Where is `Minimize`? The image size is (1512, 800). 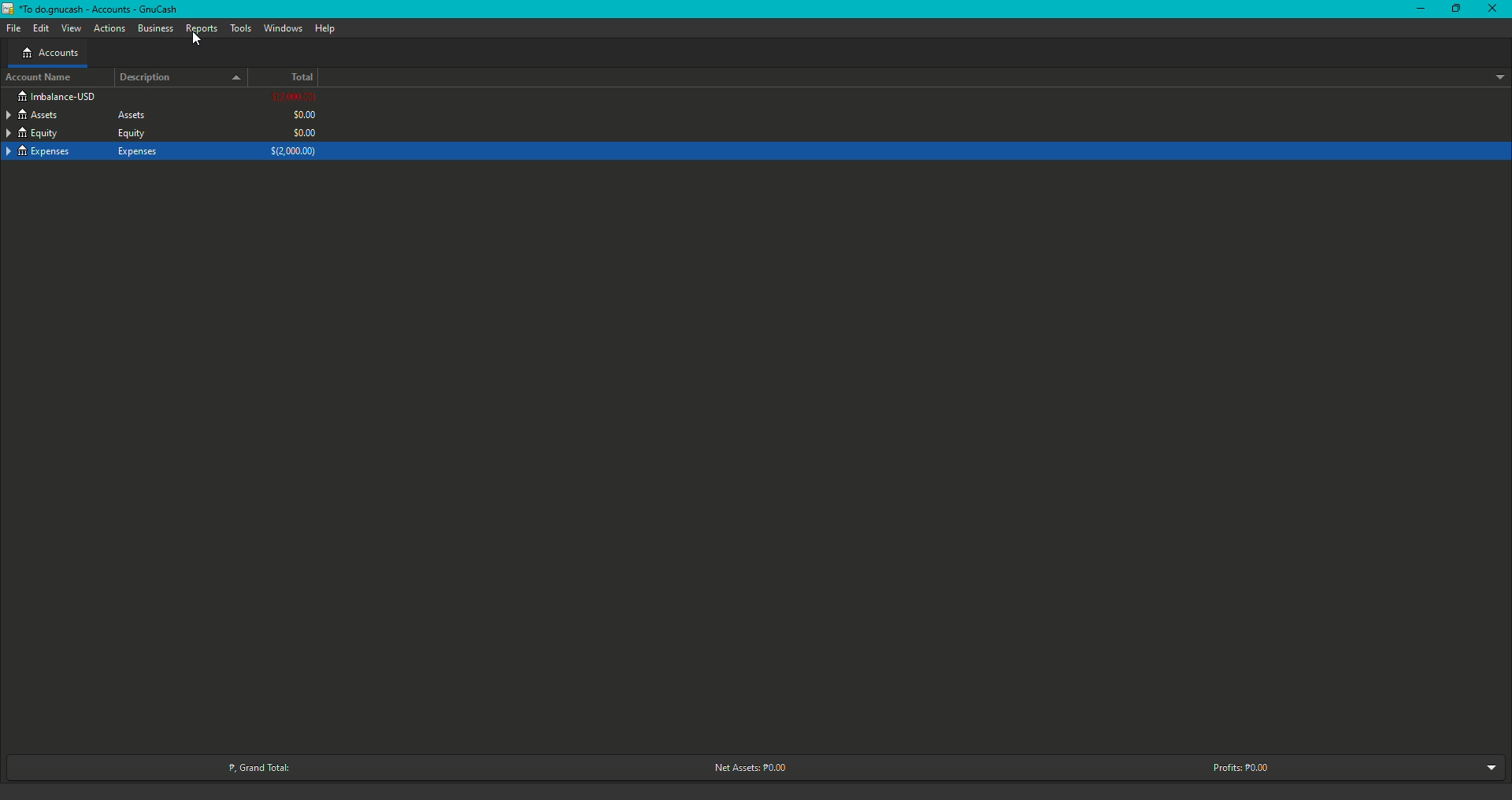
Minimize is located at coordinates (1417, 10).